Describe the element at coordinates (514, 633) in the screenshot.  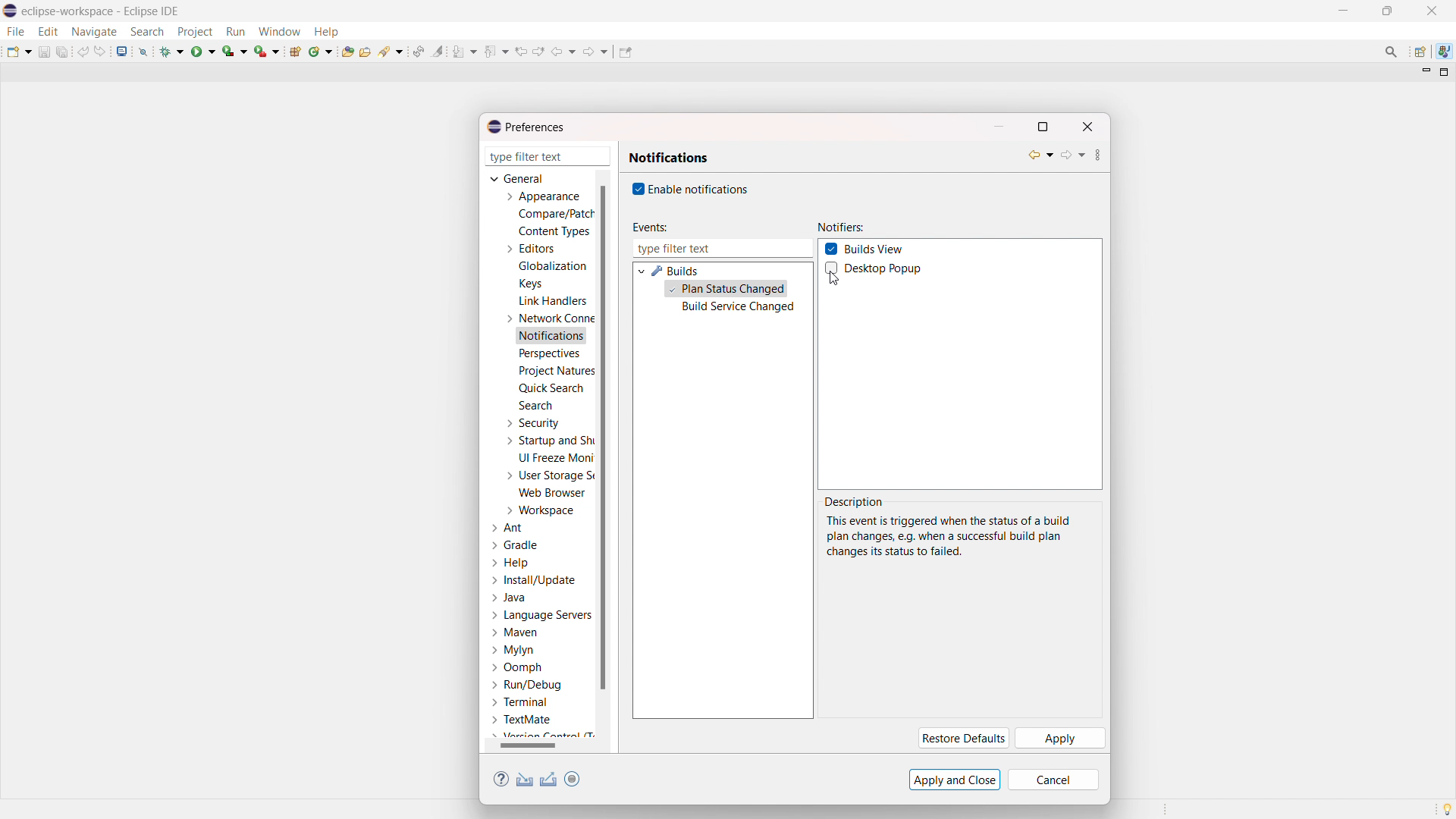
I see `maven` at that location.